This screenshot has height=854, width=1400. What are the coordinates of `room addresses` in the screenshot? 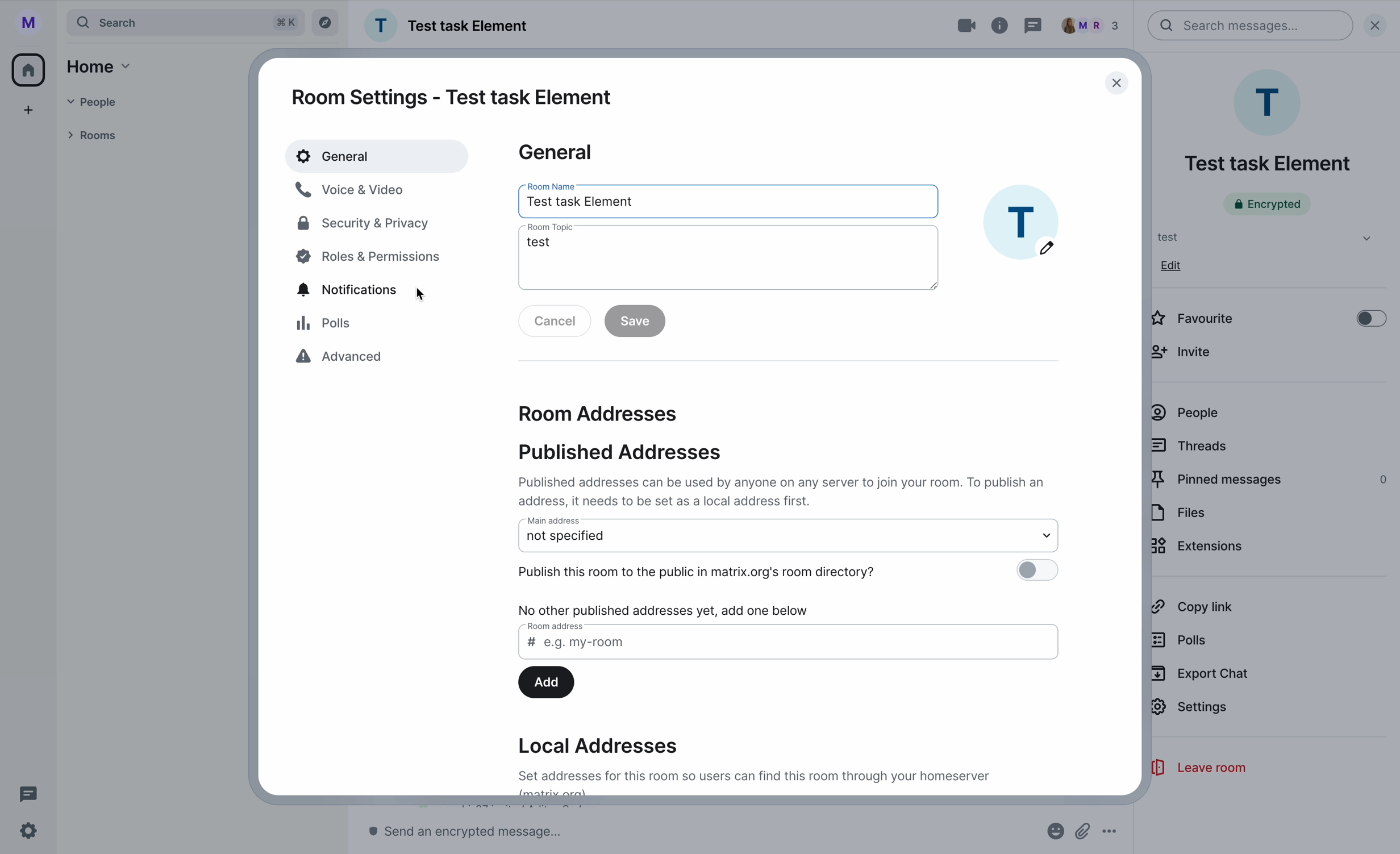 It's located at (600, 416).